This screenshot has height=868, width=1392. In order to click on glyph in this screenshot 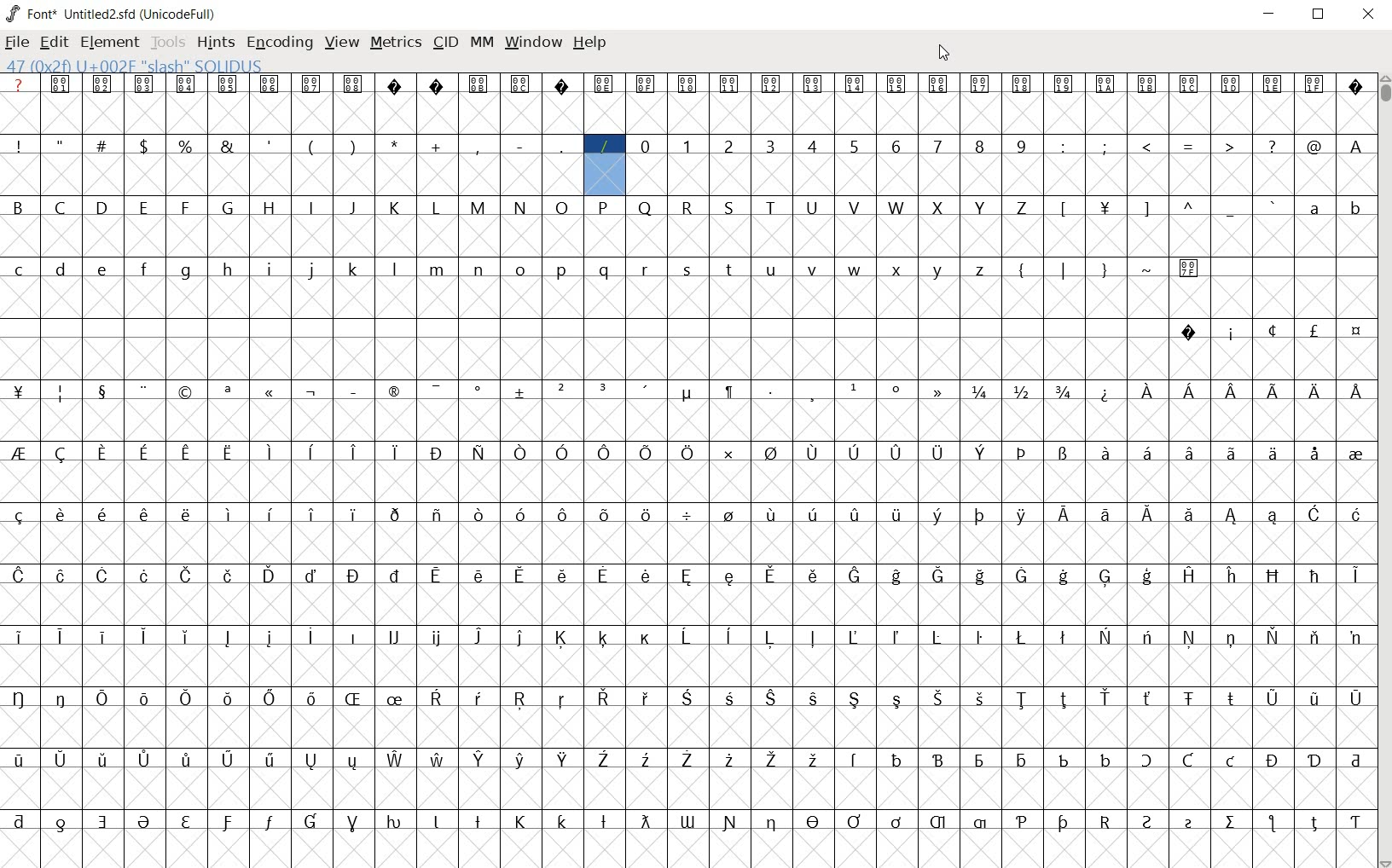, I will do `click(1356, 514)`.